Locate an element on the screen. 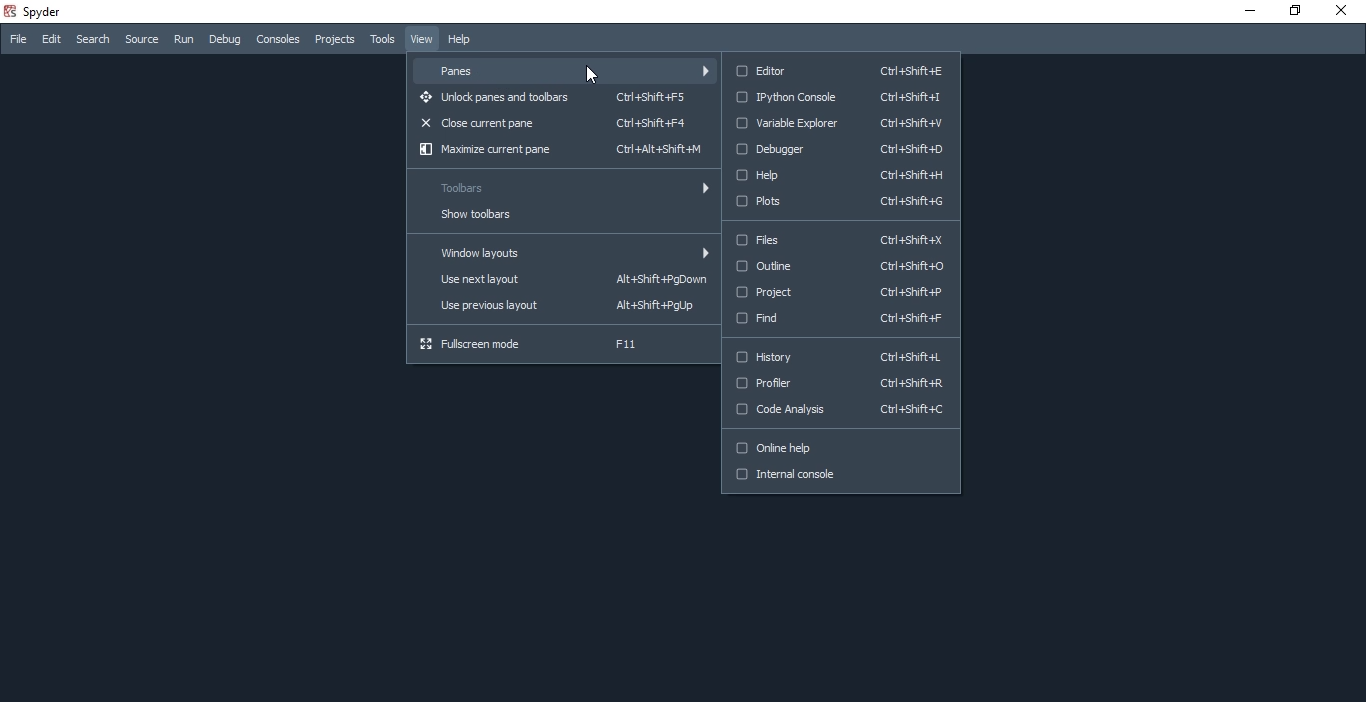 The width and height of the screenshot is (1366, 702). Editor is located at coordinates (842, 68).